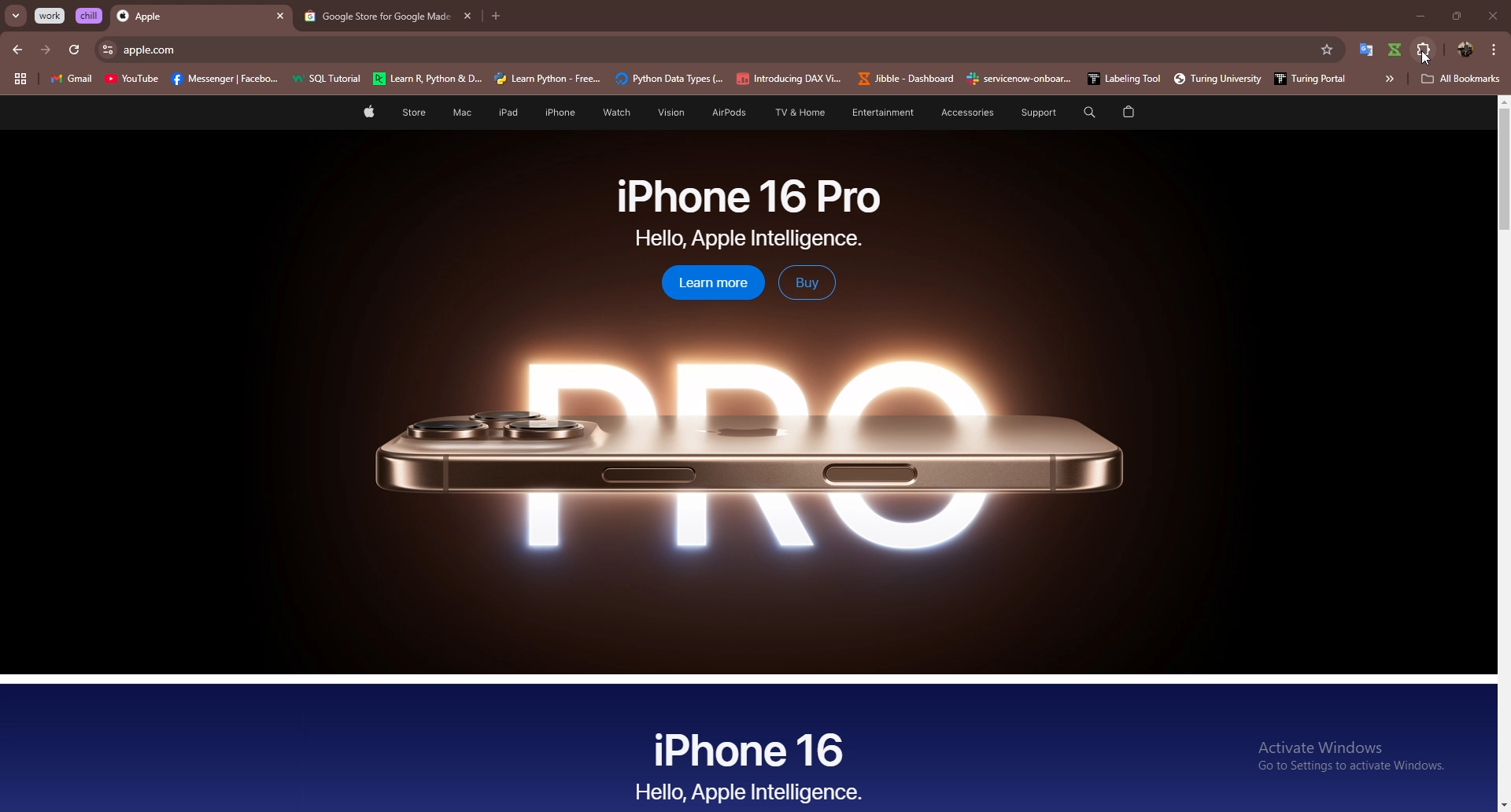 The image size is (1511, 812). What do you see at coordinates (1326, 50) in the screenshot?
I see `favorites` at bounding box center [1326, 50].